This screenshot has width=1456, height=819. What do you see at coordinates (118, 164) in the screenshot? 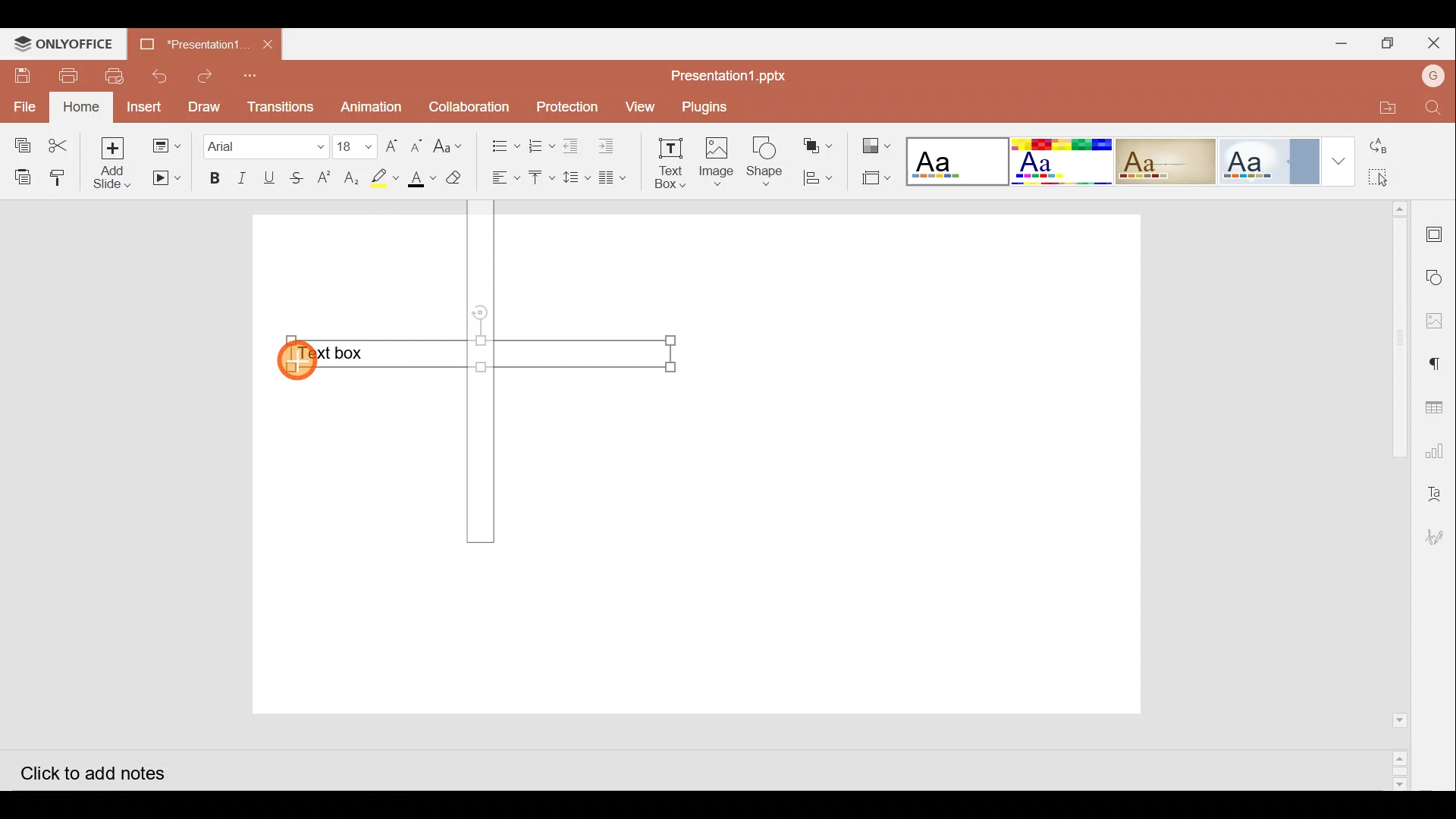
I see `Add slide` at bounding box center [118, 164].